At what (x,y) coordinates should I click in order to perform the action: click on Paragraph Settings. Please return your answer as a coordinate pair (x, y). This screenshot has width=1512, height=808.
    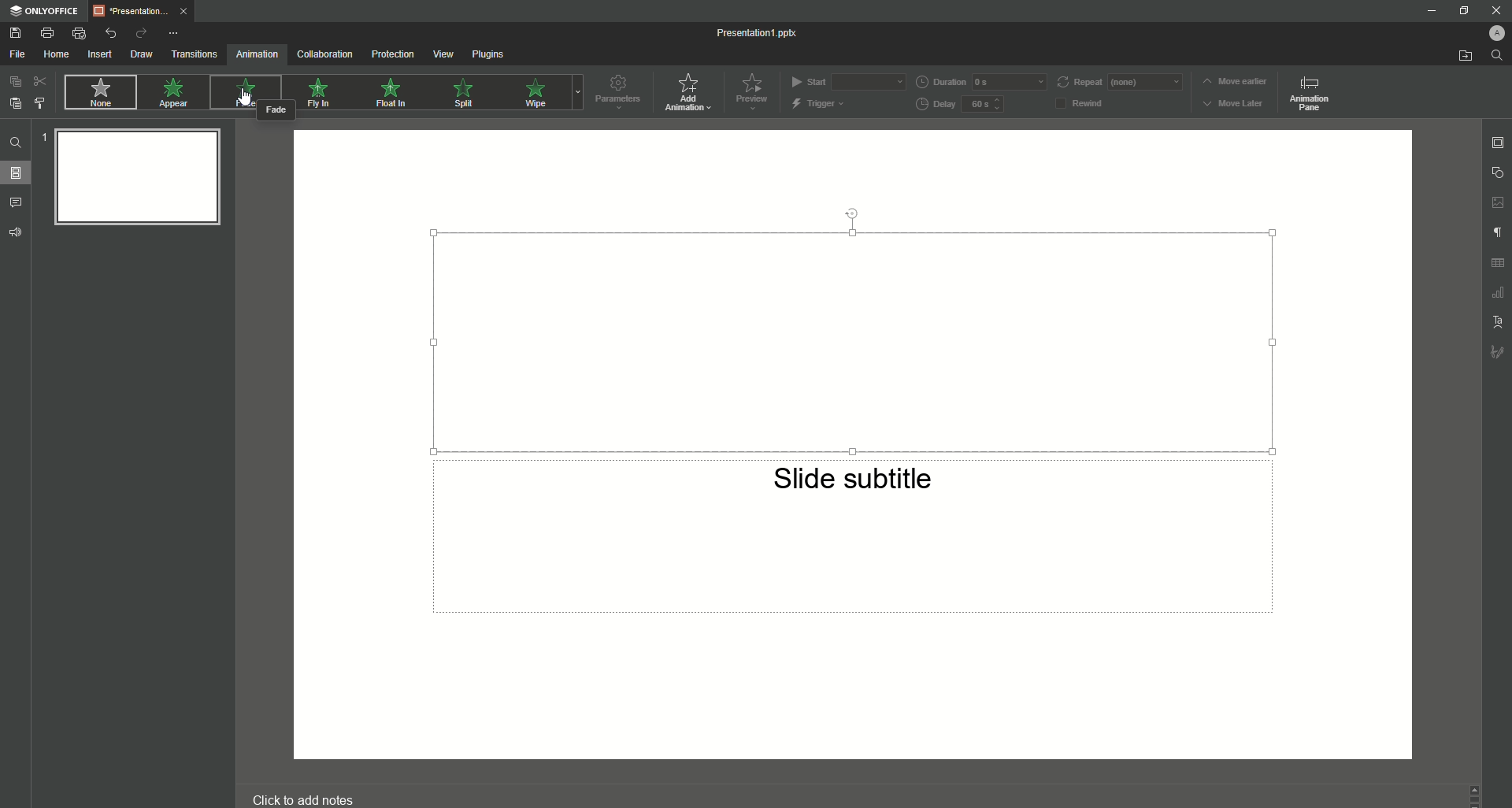
    Looking at the image, I should click on (1496, 235).